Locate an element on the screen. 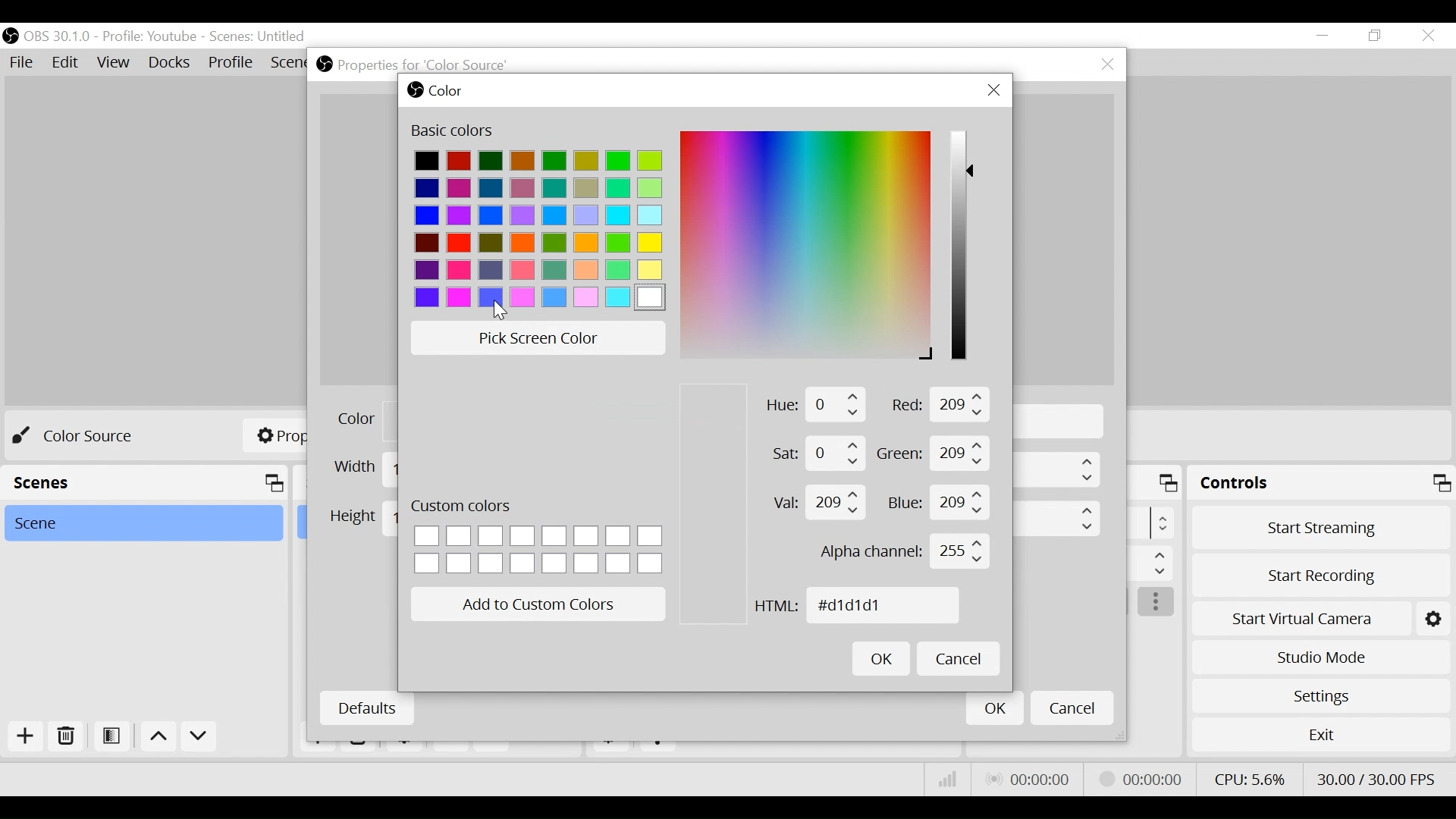 The image size is (1456, 819). Profile is located at coordinates (149, 36).